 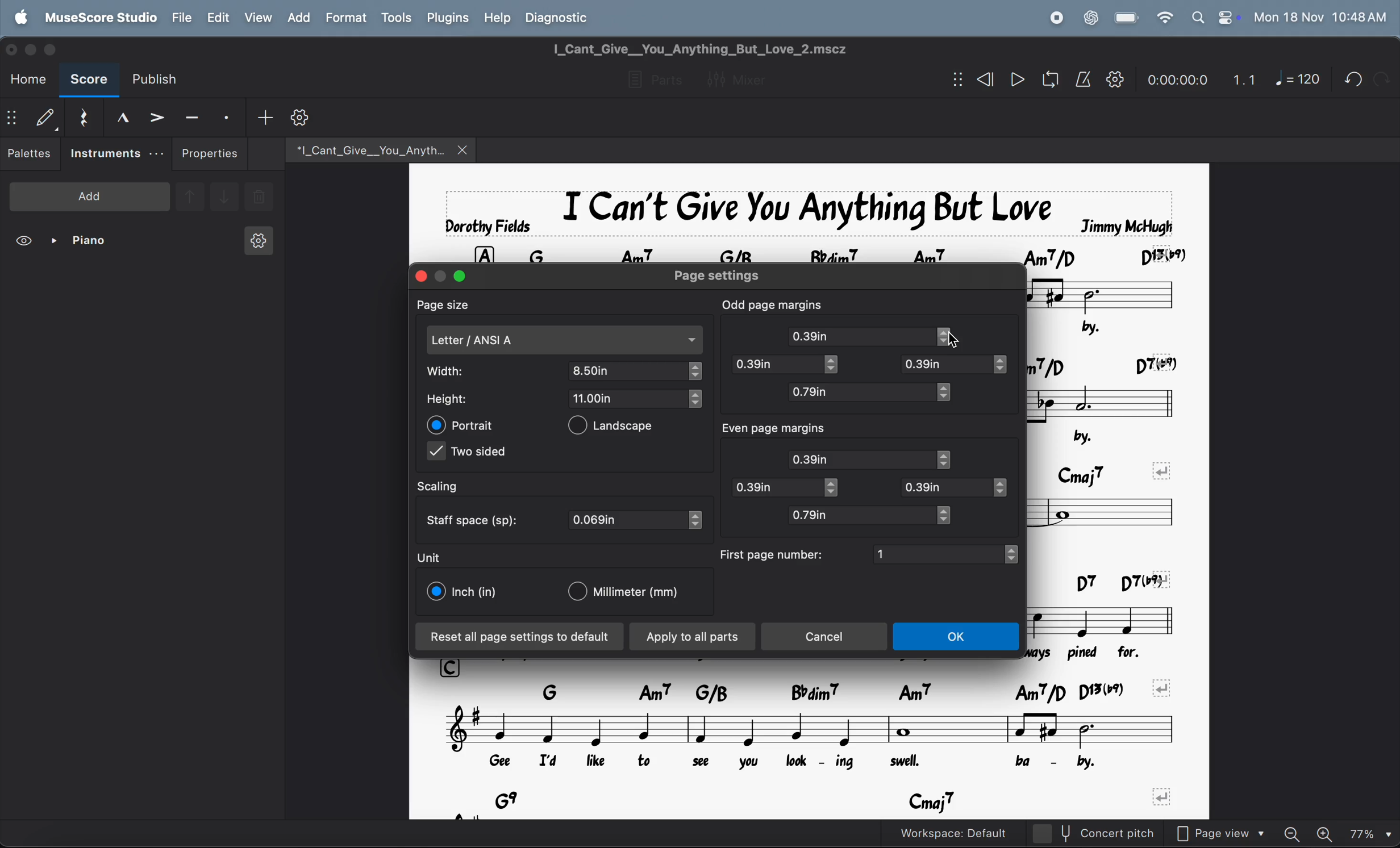 I want to click on help, so click(x=498, y=16).